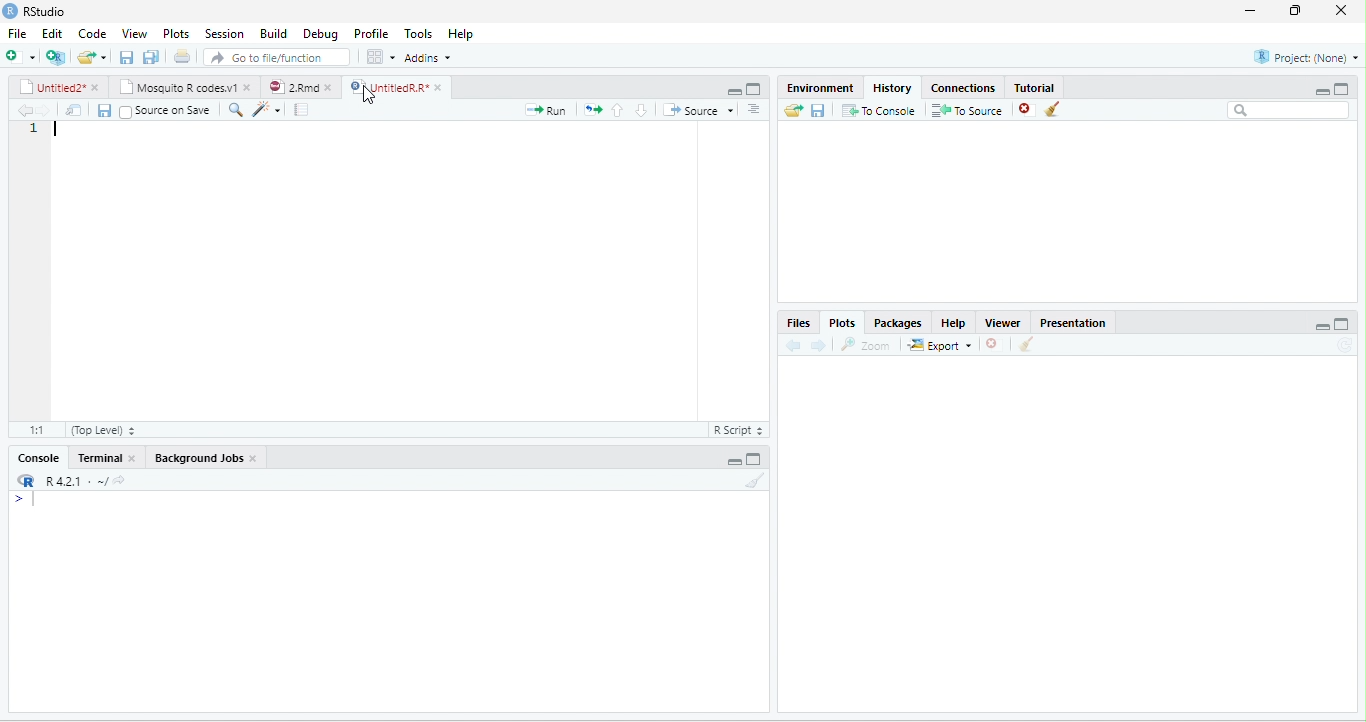  Describe the element at coordinates (735, 432) in the screenshot. I see `R SCRIPT` at that location.